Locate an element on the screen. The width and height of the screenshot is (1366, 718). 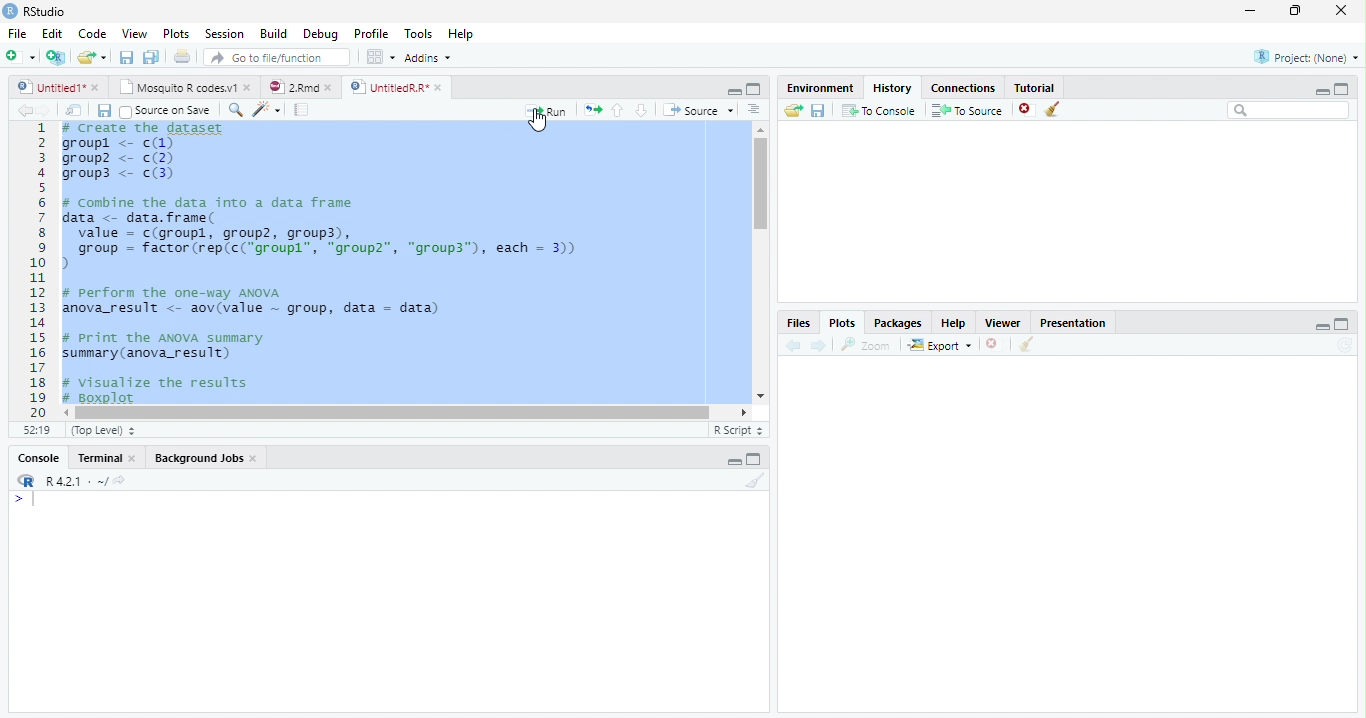
Files is located at coordinates (797, 323).